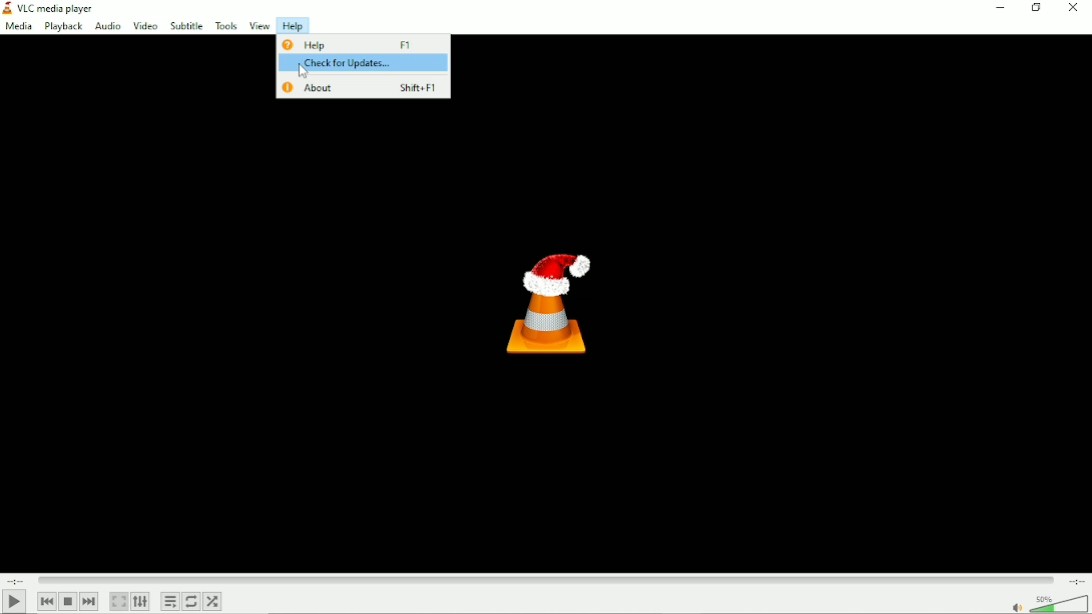 This screenshot has height=614, width=1092. I want to click on Playback, so click(63, 27).